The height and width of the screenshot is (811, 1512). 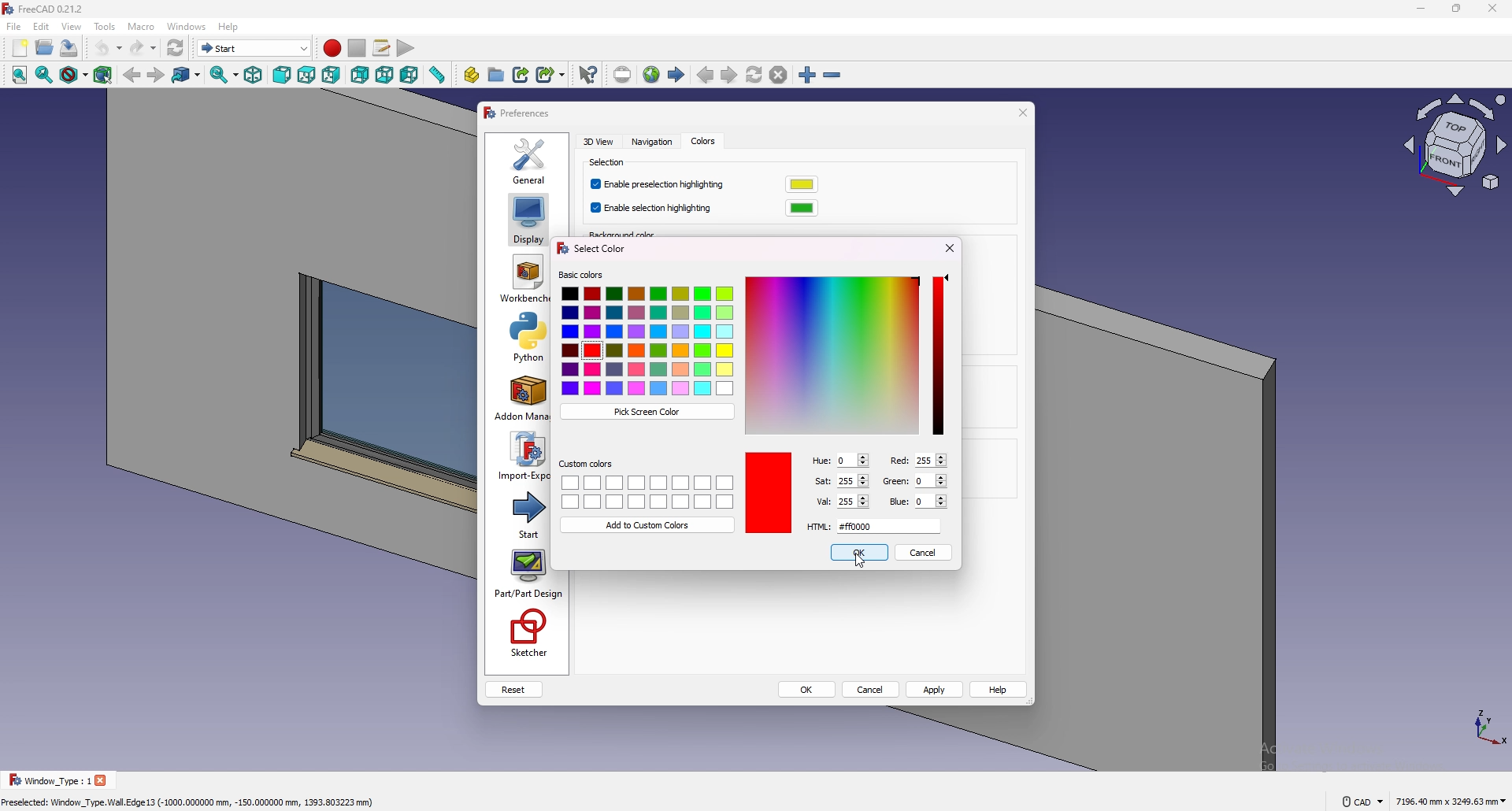 What do you see at coordinates (69, 47) in the screenshot?
I see `save` at bounding box center [69, 47].